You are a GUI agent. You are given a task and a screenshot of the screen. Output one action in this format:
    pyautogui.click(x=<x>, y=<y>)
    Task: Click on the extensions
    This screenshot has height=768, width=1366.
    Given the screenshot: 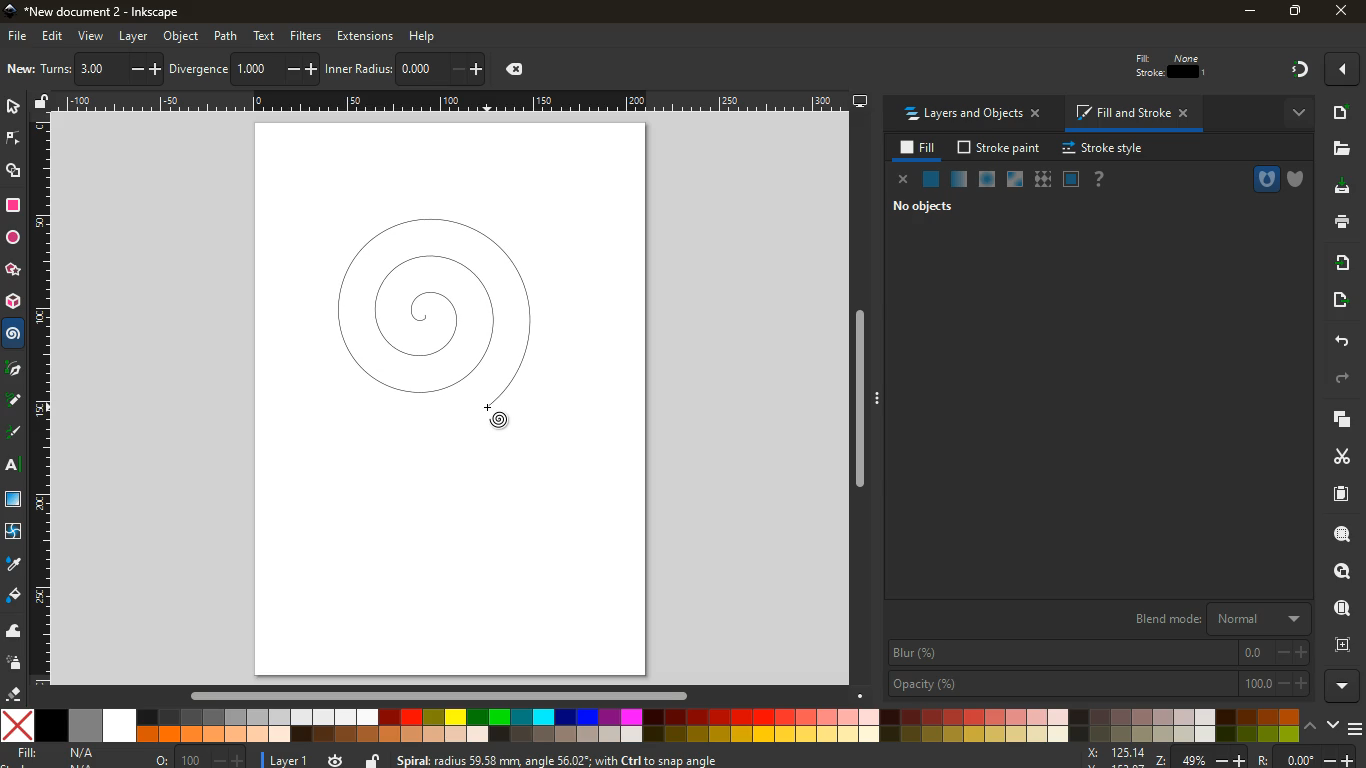 What is the action you would take?
    pyautogui.click(x=366, y=36)
    